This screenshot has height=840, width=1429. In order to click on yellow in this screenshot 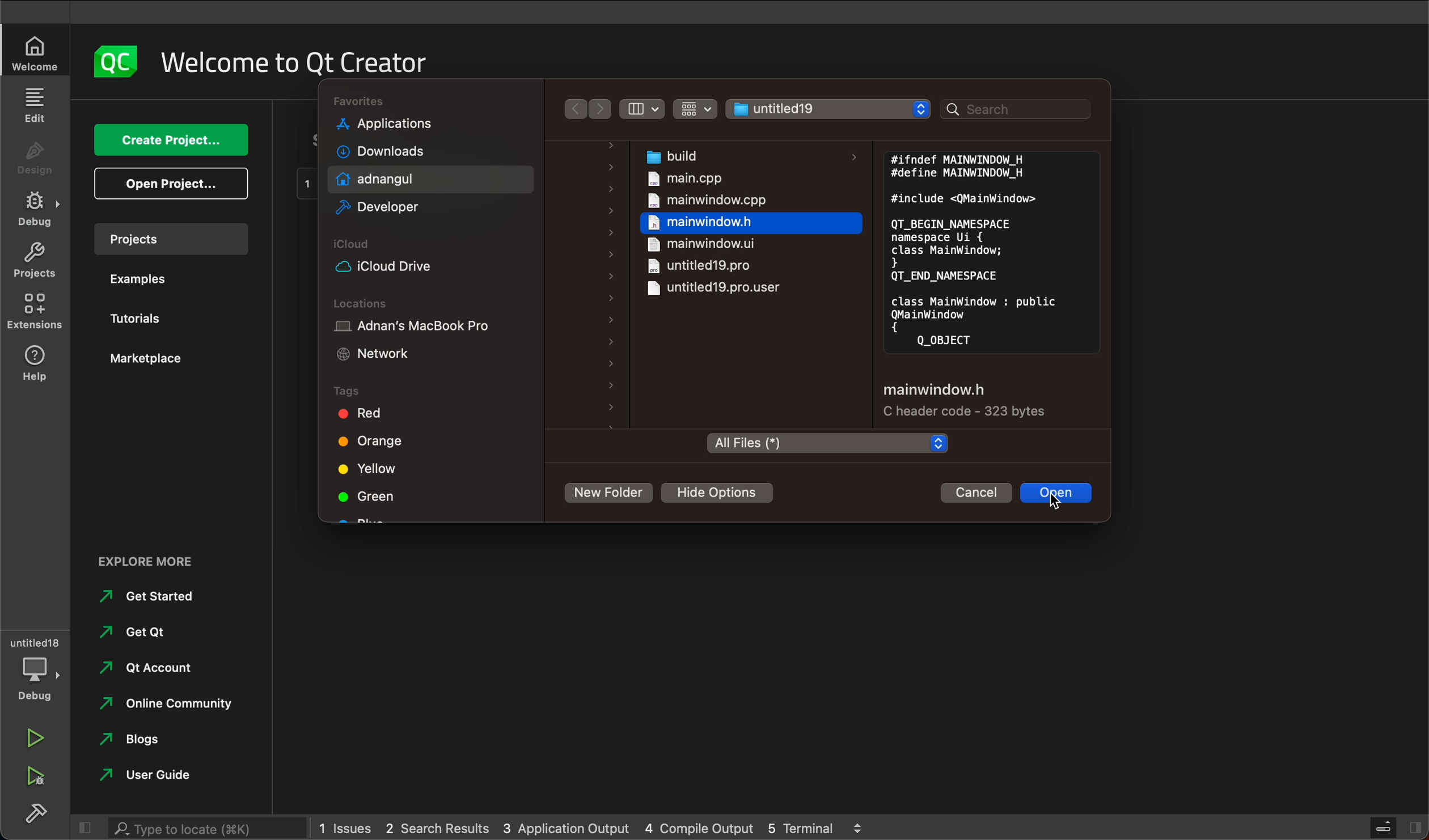, I will do `click(383, 468)`.